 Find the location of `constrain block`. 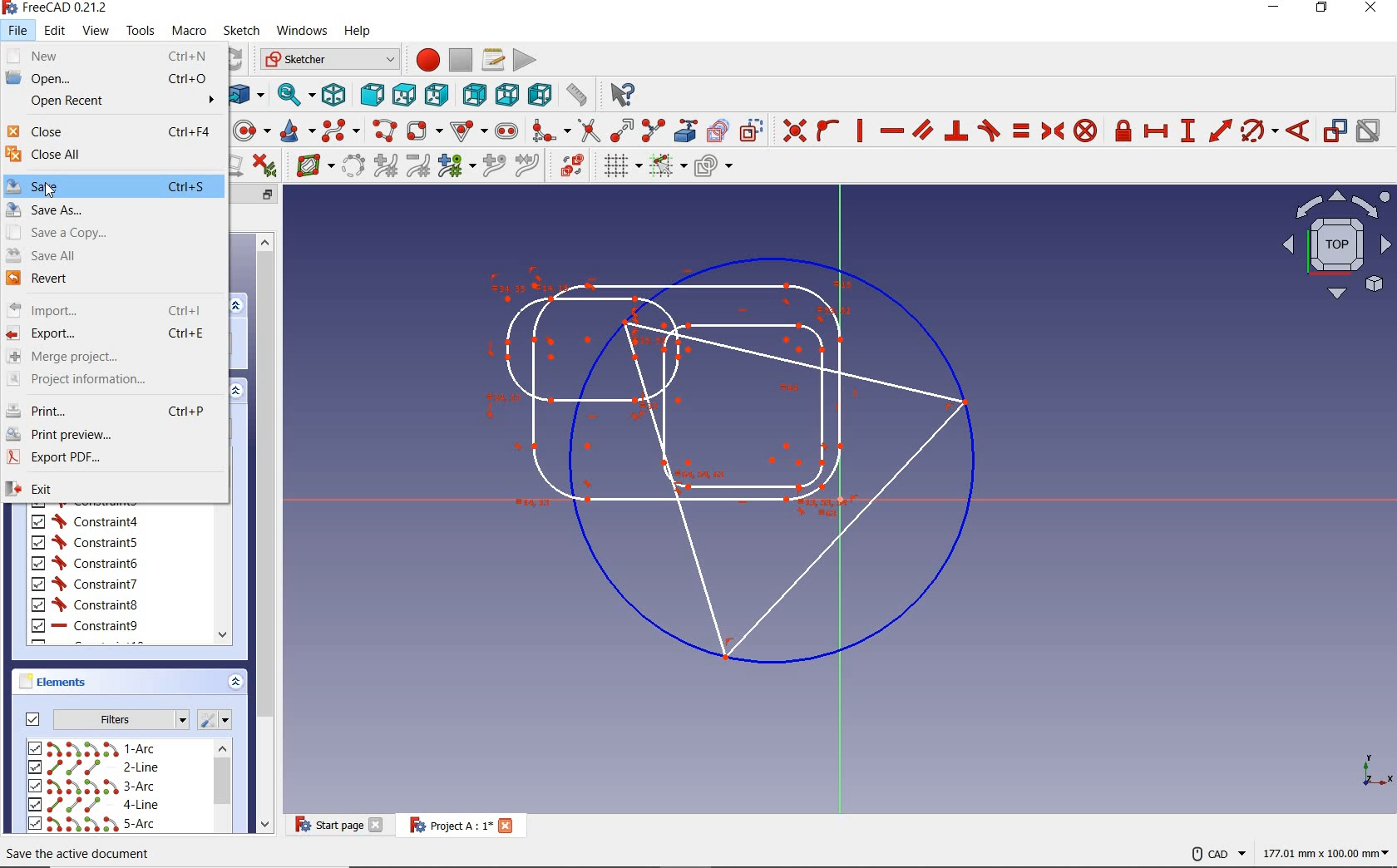

constrain block is located at coordinates (1085, 130).